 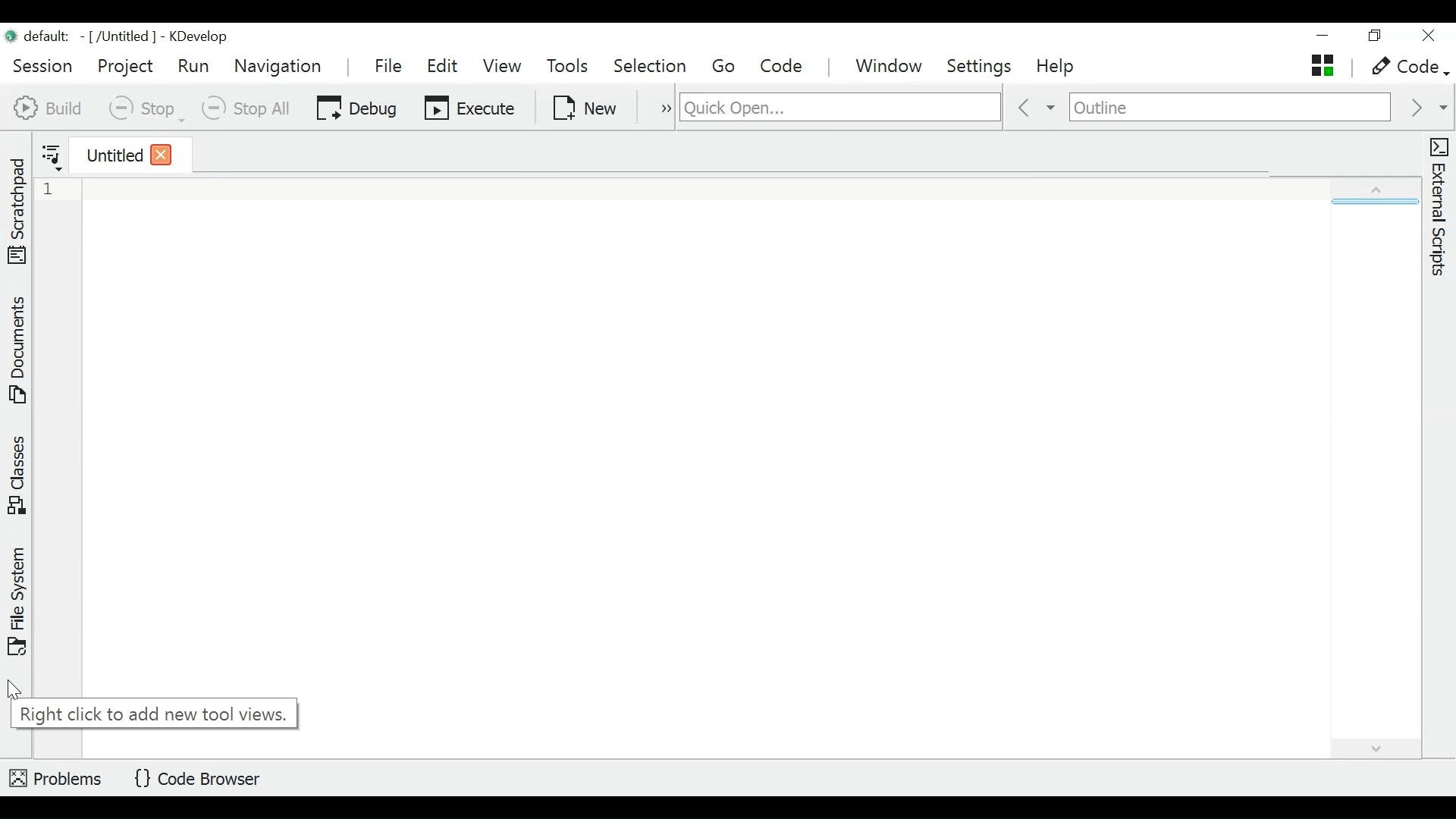 I want to click on Selection, so click(x=652, y=67).